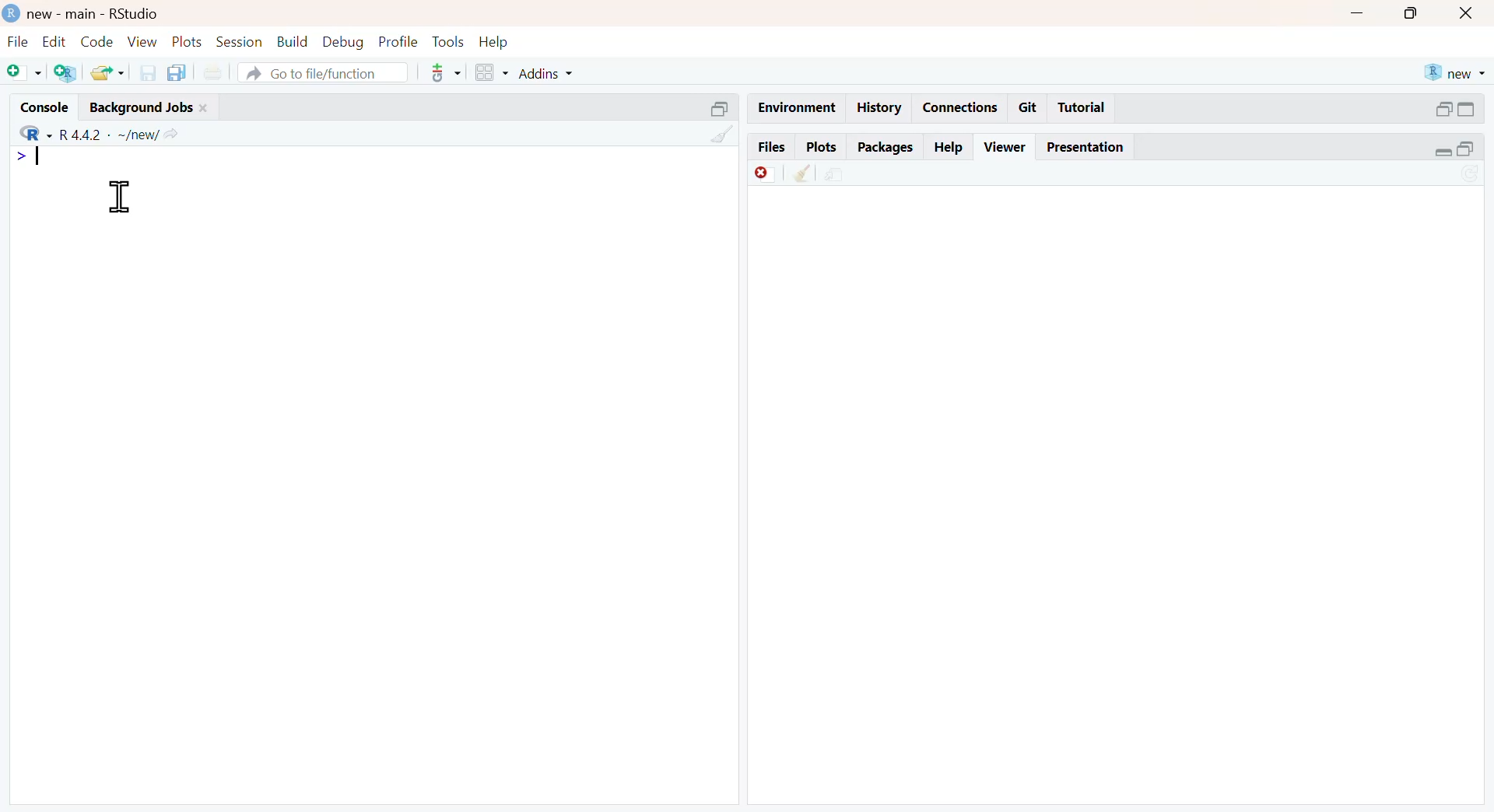 This screenshot has width=1494, height=812. I want to click on >, so click(19, 157).